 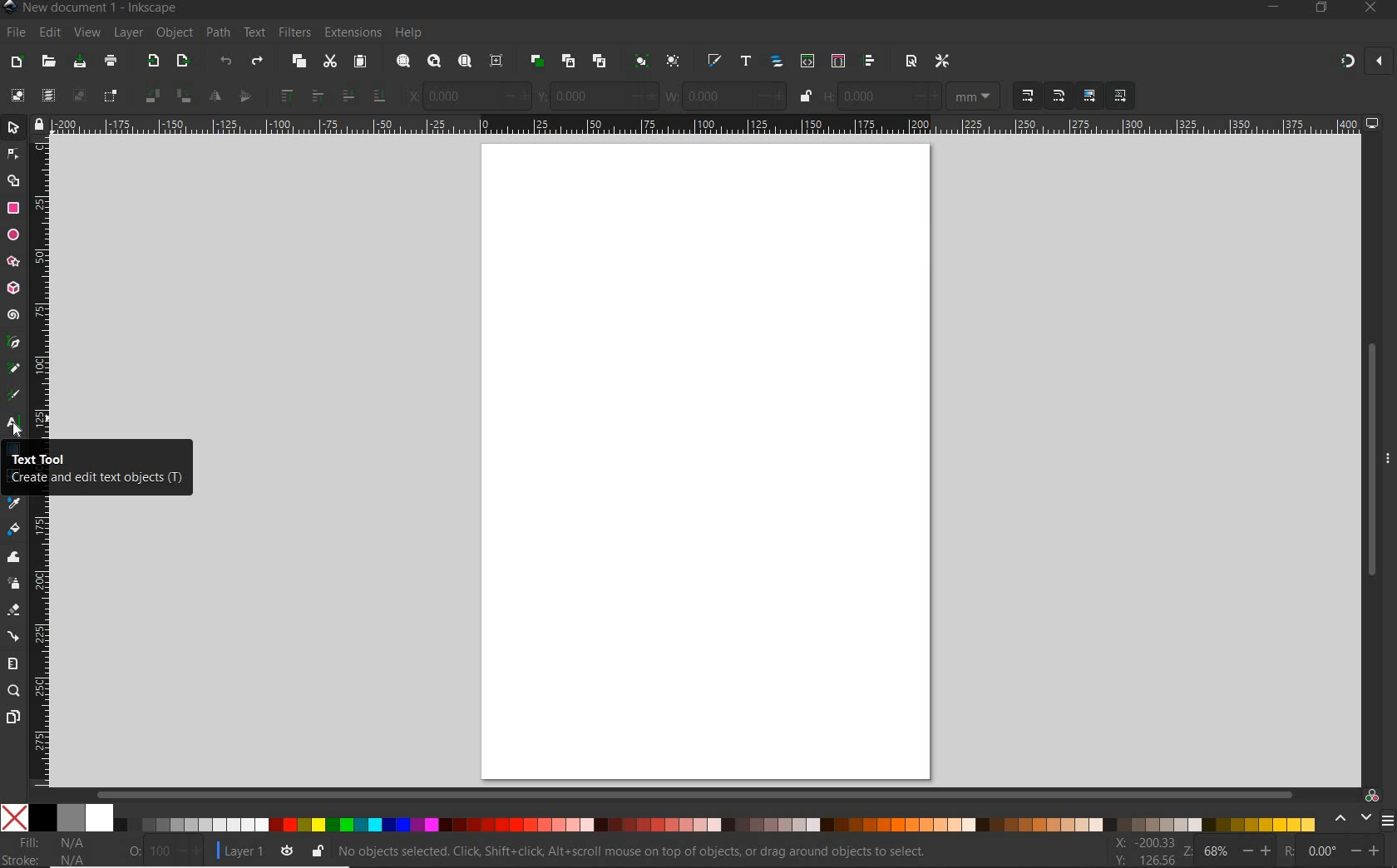 What do you see at coordinates (1186, 851) in the screenshot?
I see `zoom` at bounding box center [1186, 851].